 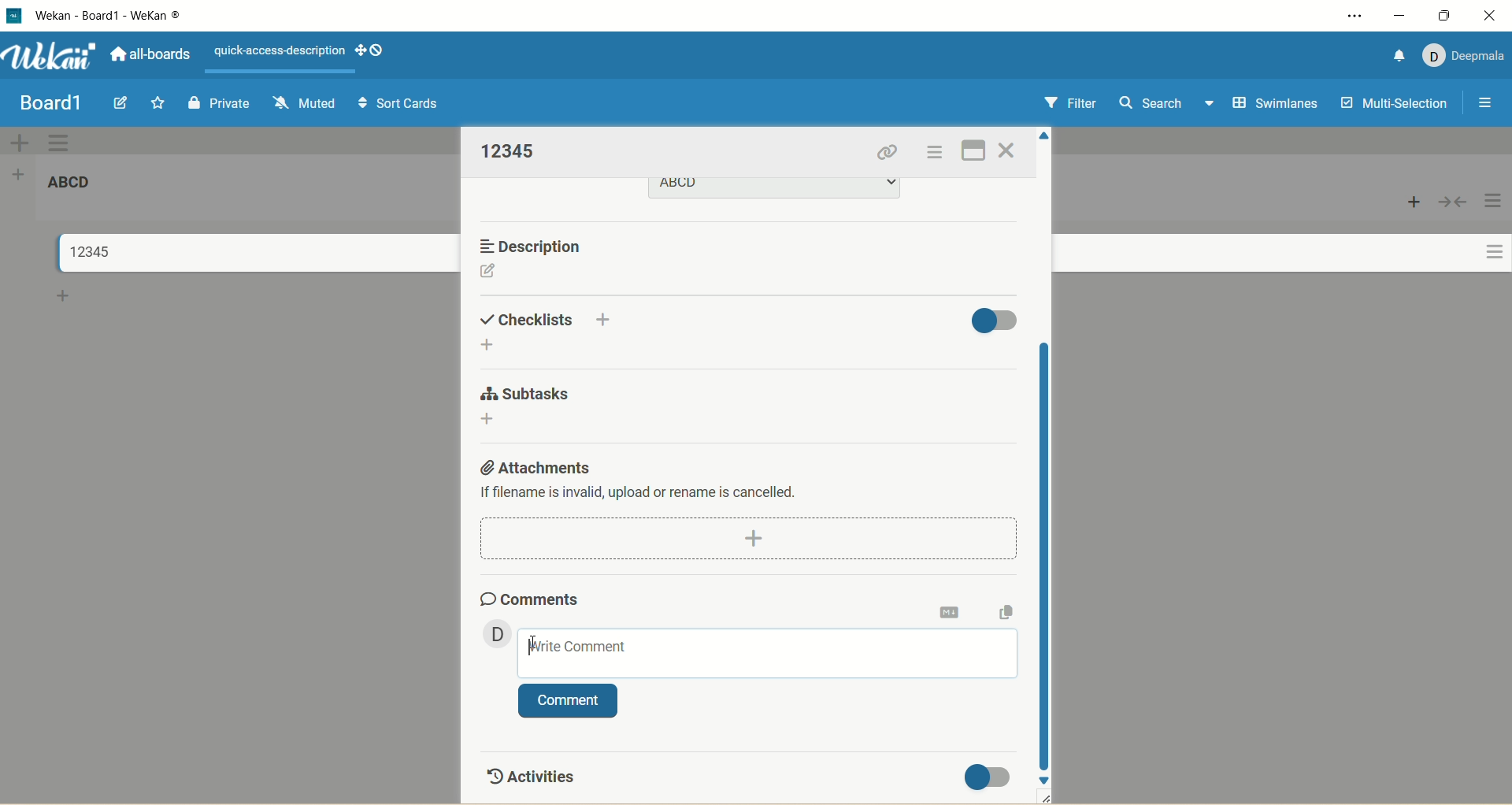 What do you see at coordinates (1414, 202) in the screenshot?
I see `add card` at bounding box center [1414, 202].